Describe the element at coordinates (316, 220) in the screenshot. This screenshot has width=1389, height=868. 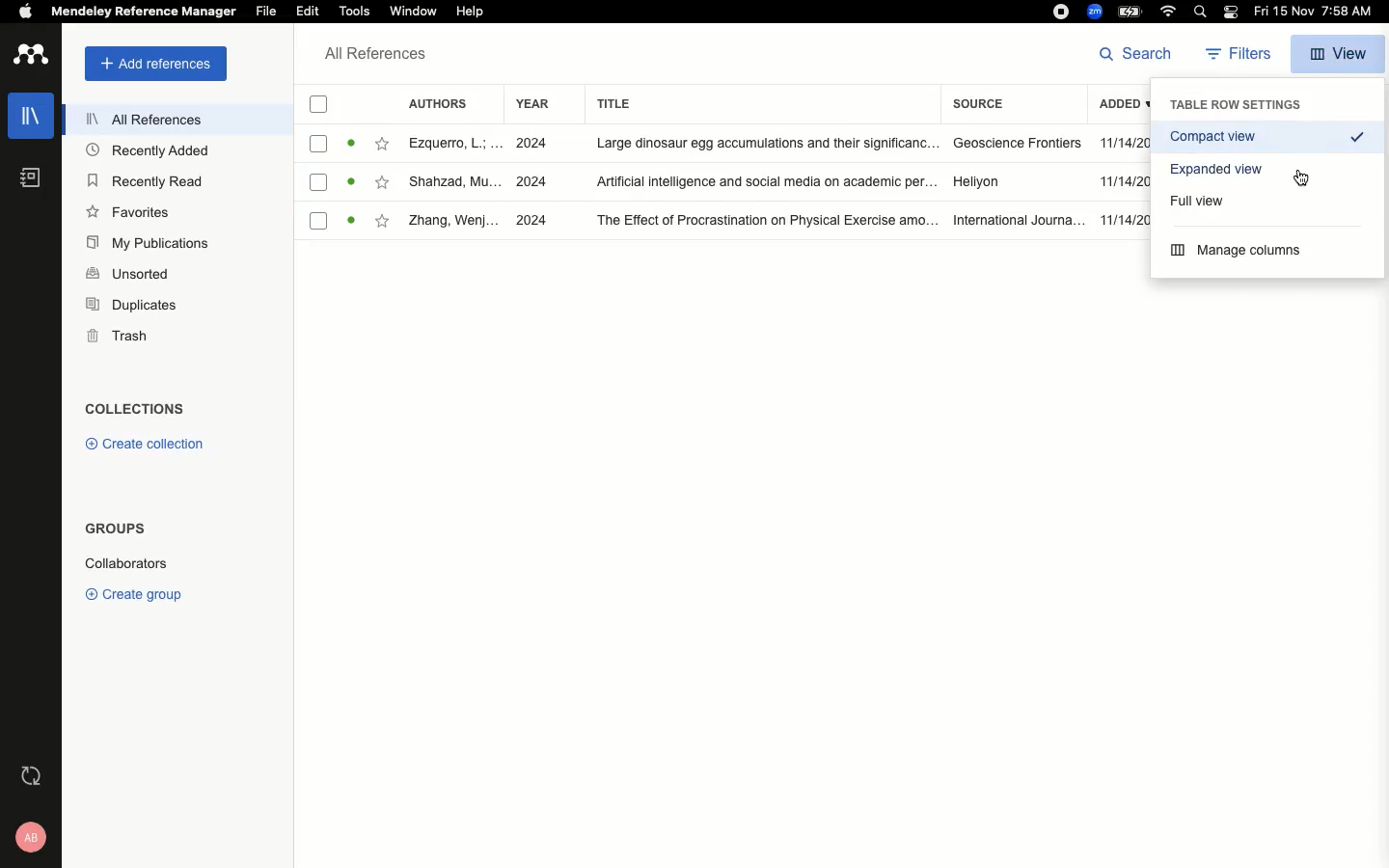
I see `Checkbox` at that location.